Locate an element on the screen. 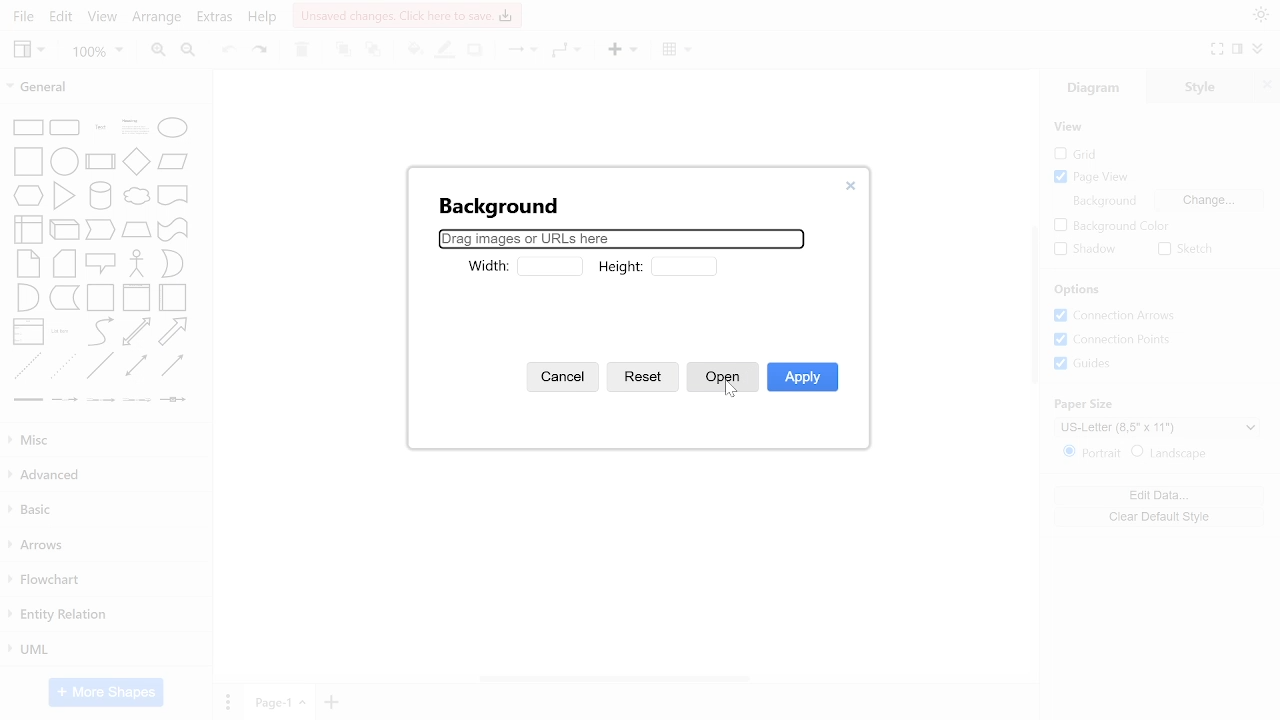 This screenshot has height=720, width=1280. entity relation is located at coordinates (102, 616).